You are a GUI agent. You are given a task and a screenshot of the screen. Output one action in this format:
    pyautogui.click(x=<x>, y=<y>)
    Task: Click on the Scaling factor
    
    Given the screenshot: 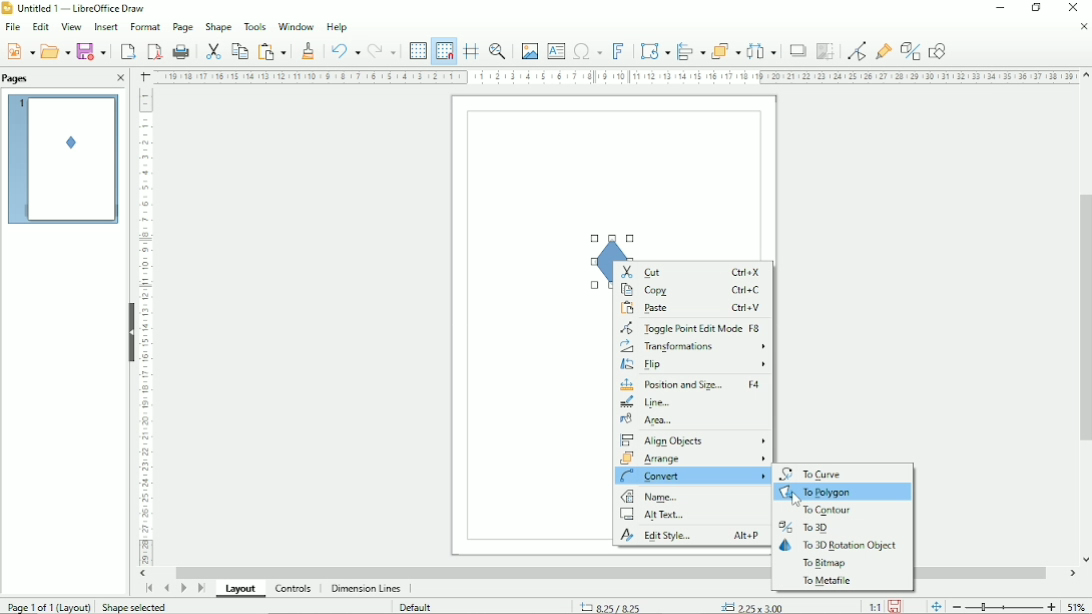 What is the action you would take?
    pyautogui.click(x=875, y=606)
    